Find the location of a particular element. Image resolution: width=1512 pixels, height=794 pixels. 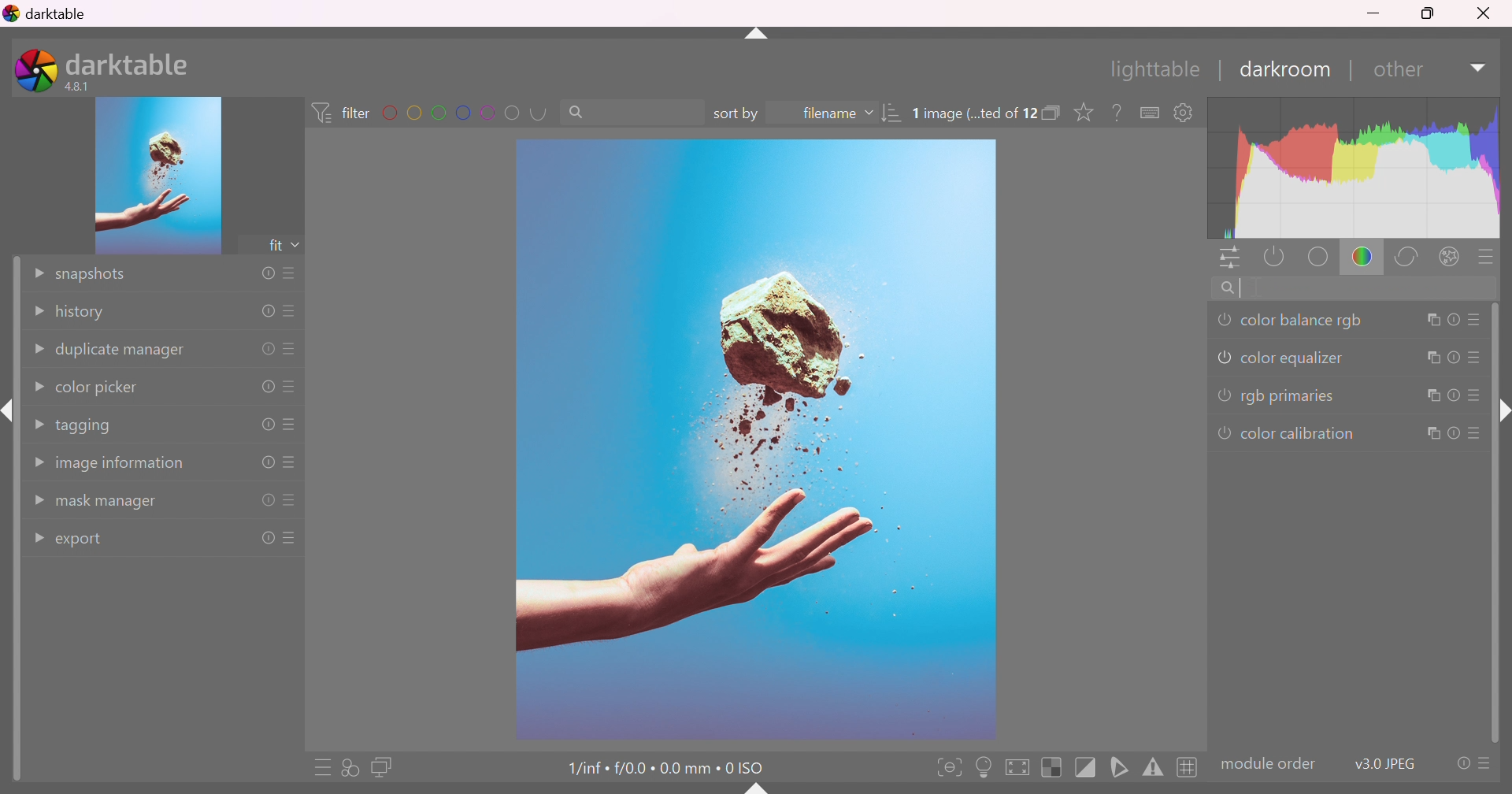

Restore Down is located at coordinates (1431, 14).